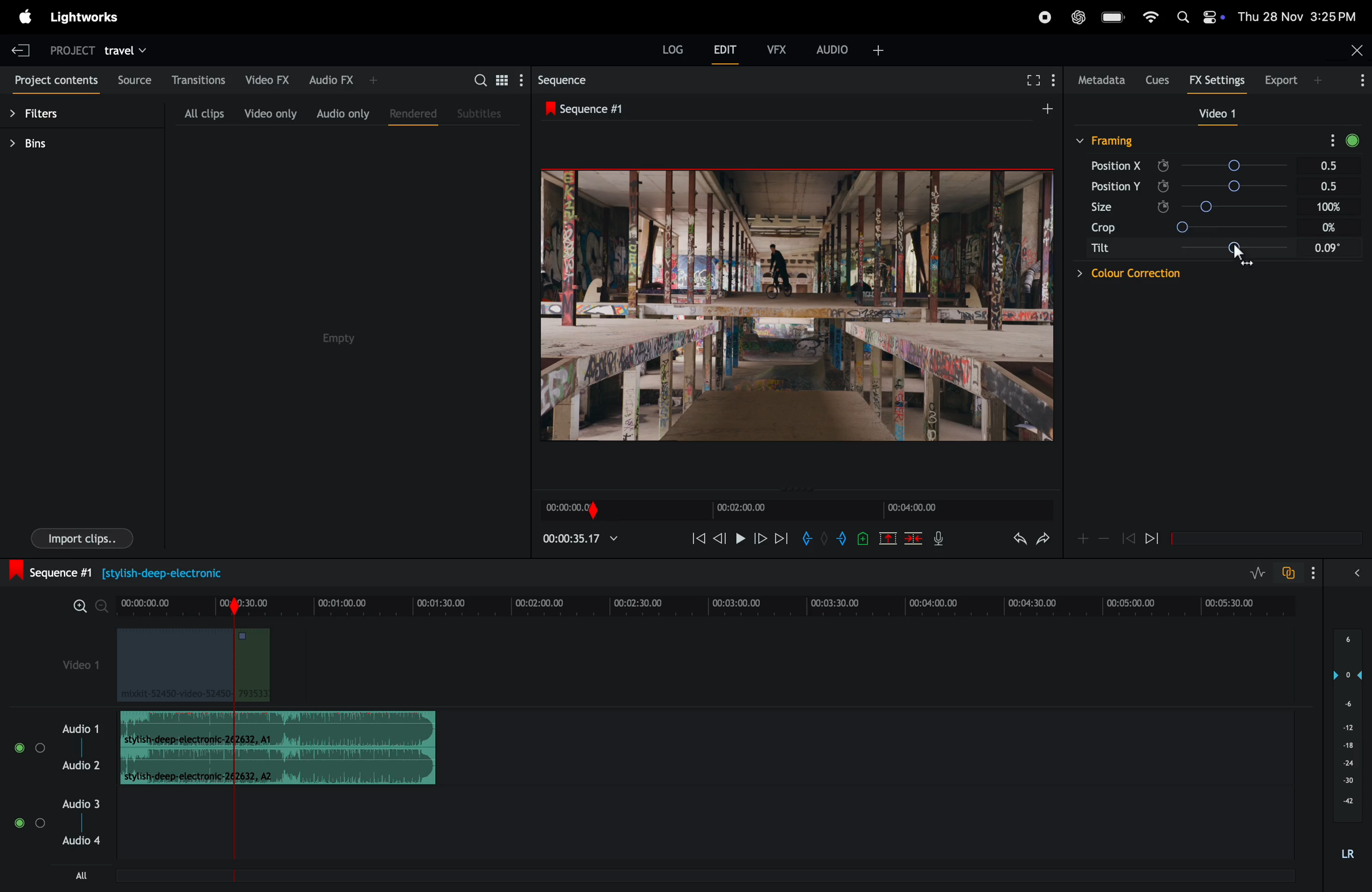 The image size is (1372, 892). What do you see at coordinates (1264, 228) in the screenshot?
I see `Crop slider 0%` at bounding box center [1264, 228].